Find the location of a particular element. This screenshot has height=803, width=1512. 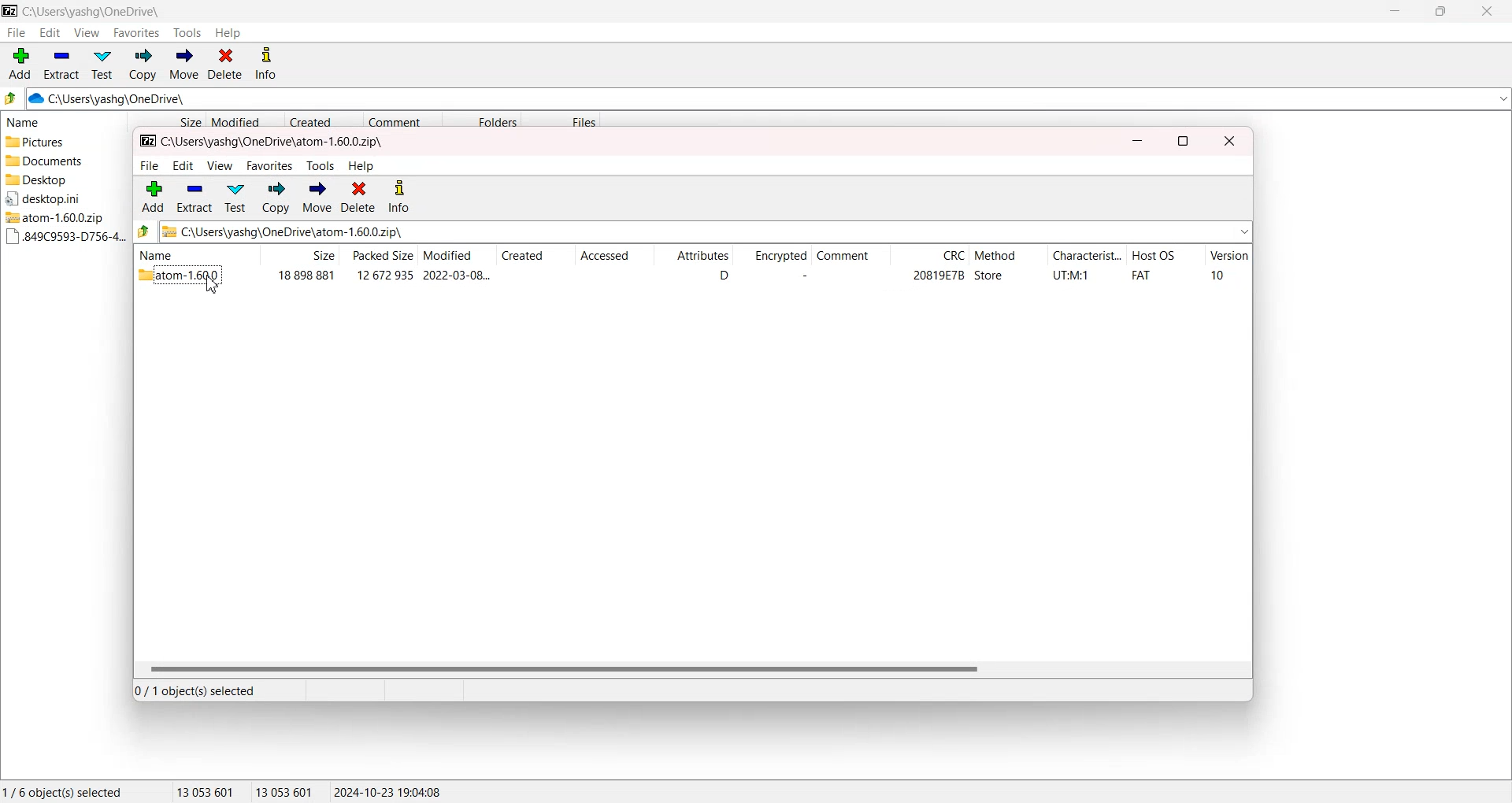

Move is located at coordinates (183, 65).